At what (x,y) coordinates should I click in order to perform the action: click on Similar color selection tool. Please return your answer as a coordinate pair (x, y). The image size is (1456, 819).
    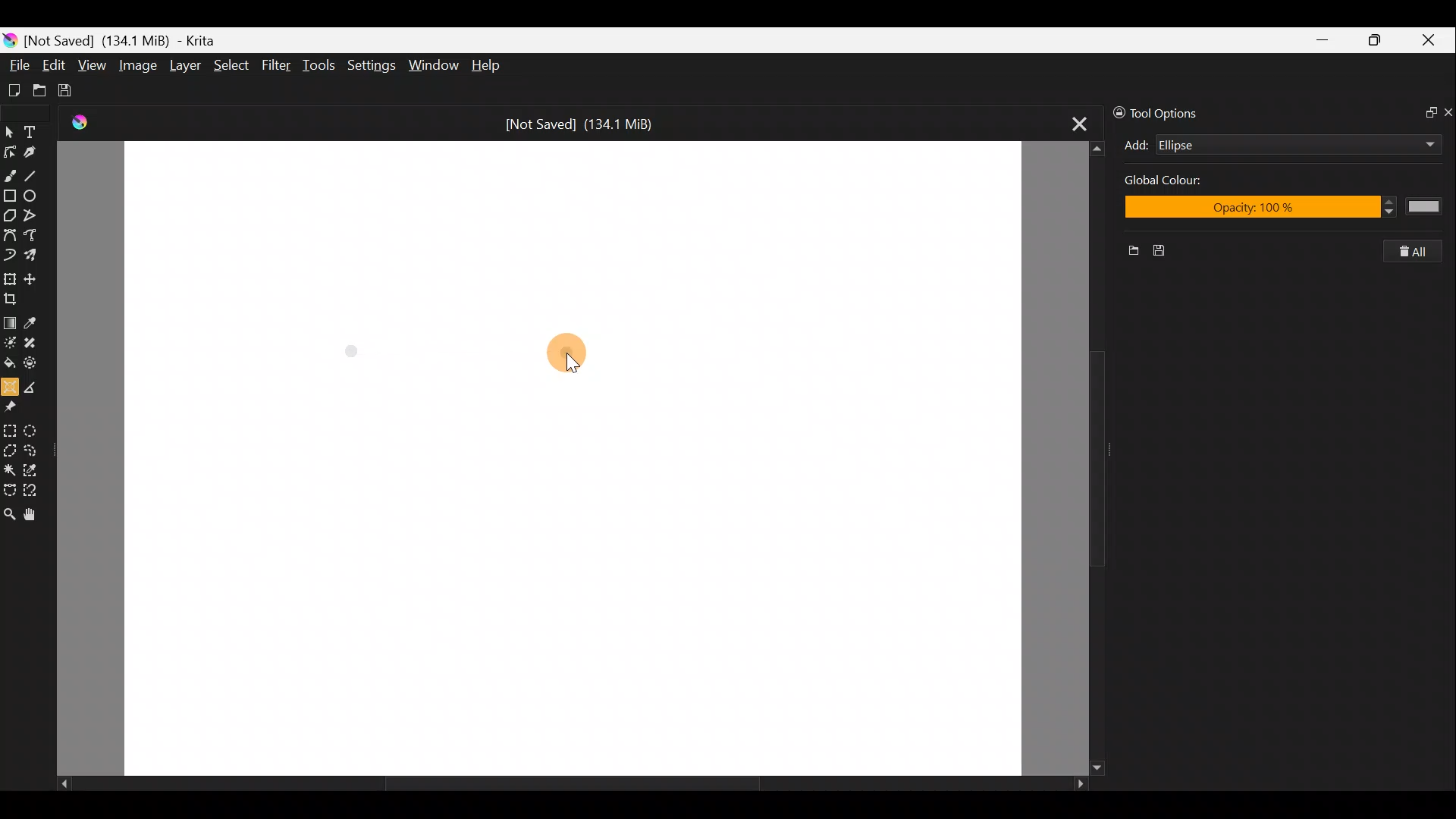
    Looking at the image, I should click on (37, 468).